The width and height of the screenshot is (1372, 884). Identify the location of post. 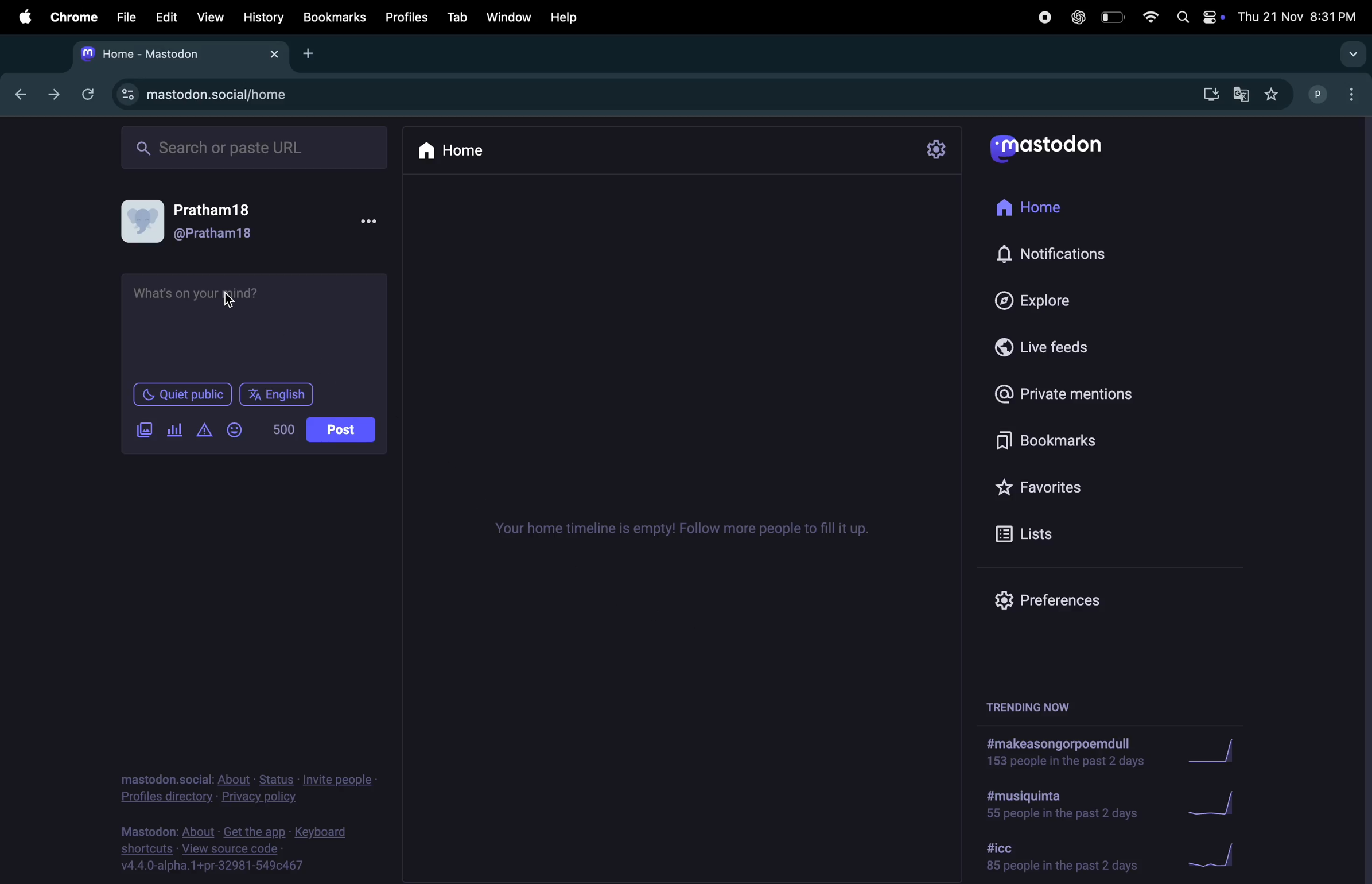
(339, 429).